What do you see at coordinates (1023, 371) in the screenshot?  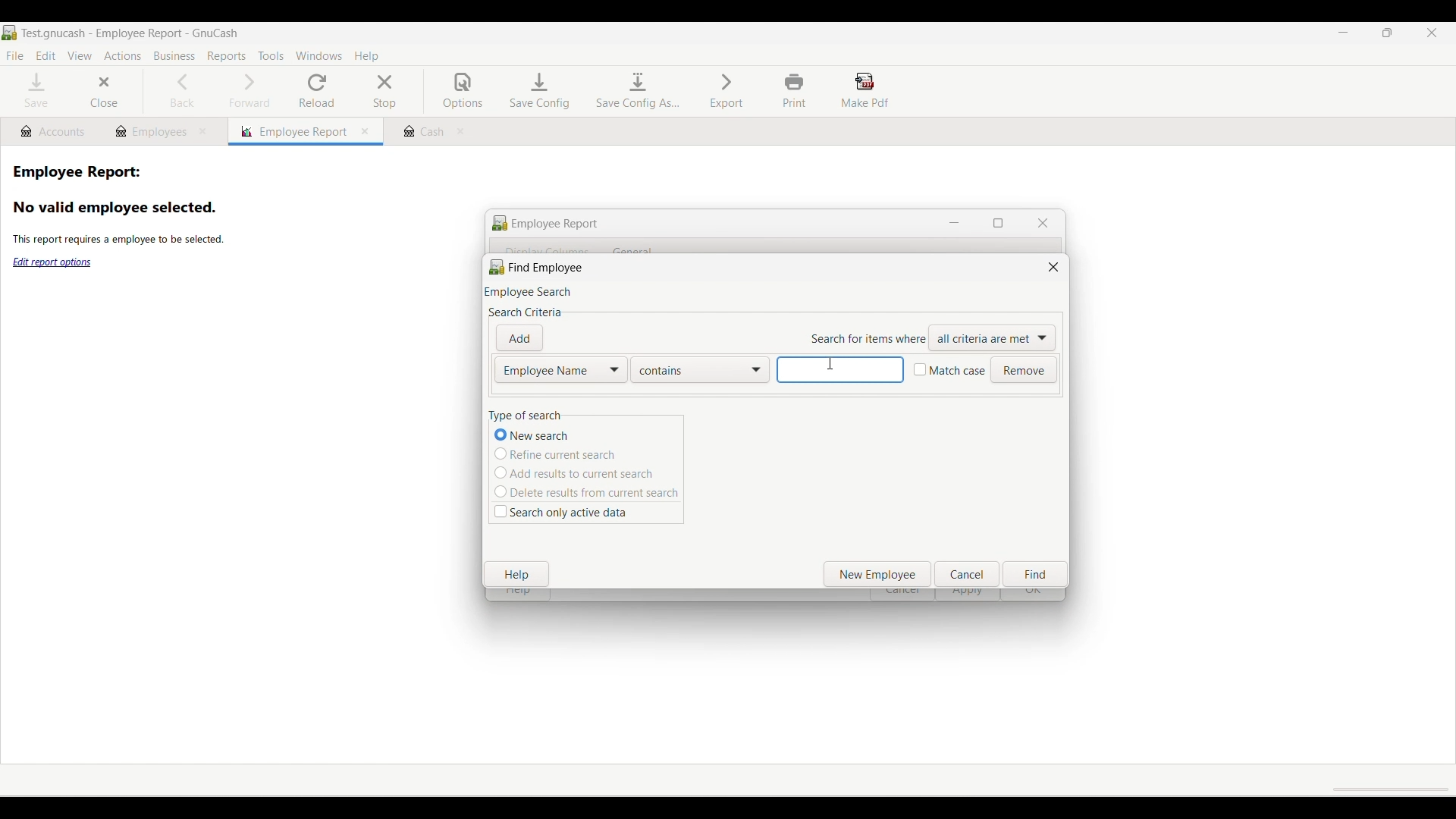 I see `Remove` at bounding box center [1023, 371].